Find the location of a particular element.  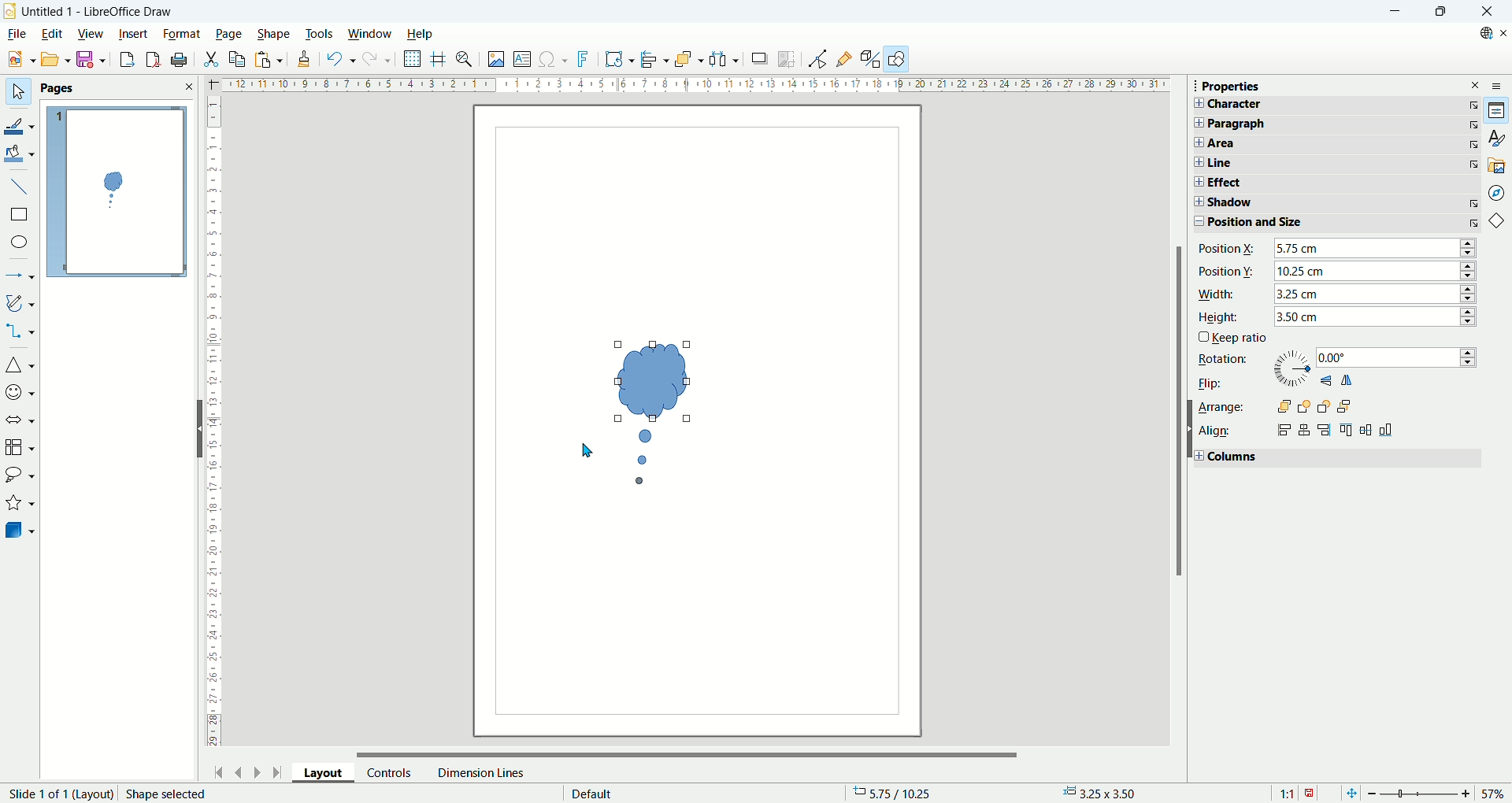

point edit mode is located at coordinates (817, 59).